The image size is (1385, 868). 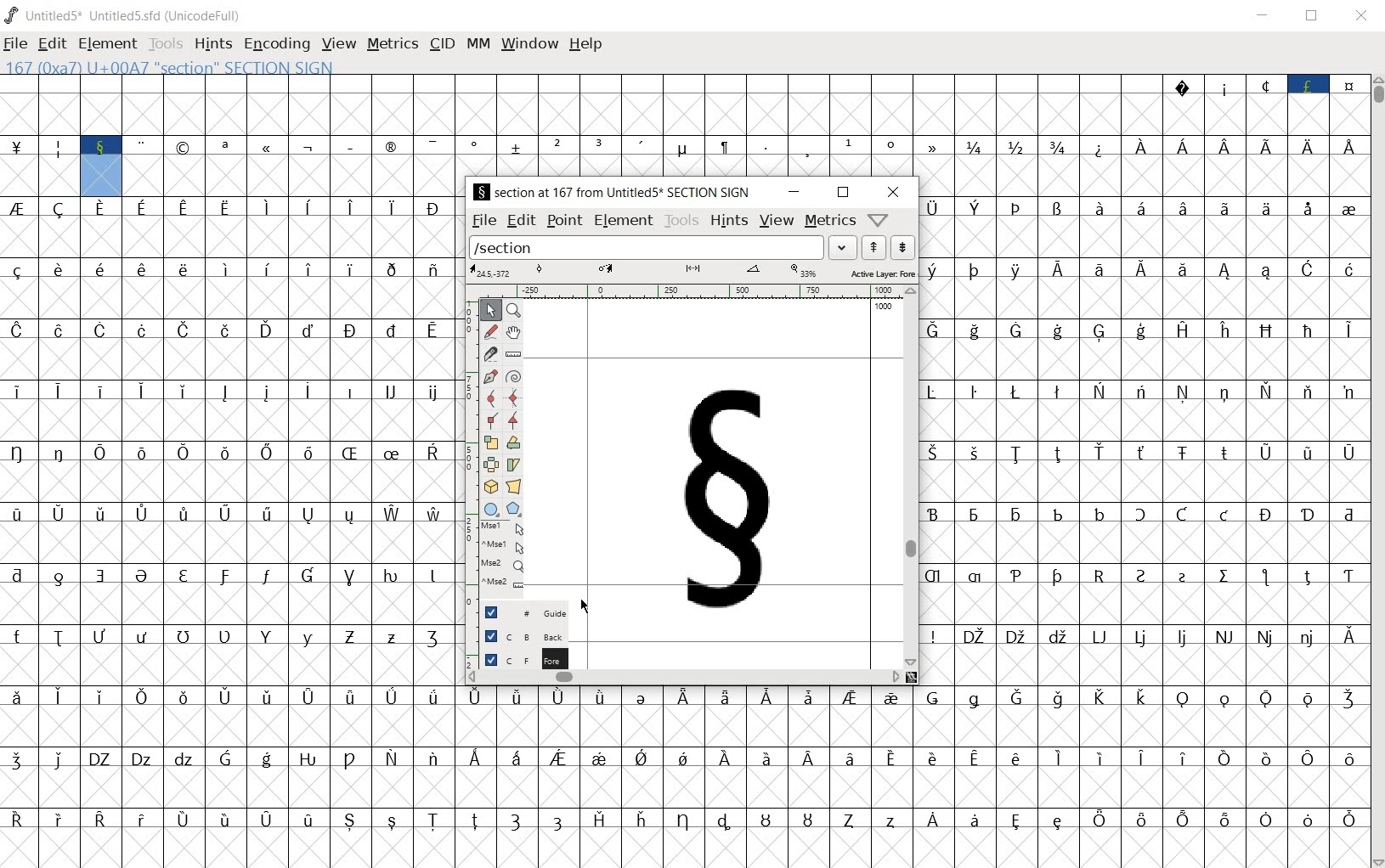 What do you see at coordinates (611, 192) in the screenshot?
I see `§ SECTION AT 167 FROM UNTITLED5 SECTION SIGN` at bounding box center [611, 192].